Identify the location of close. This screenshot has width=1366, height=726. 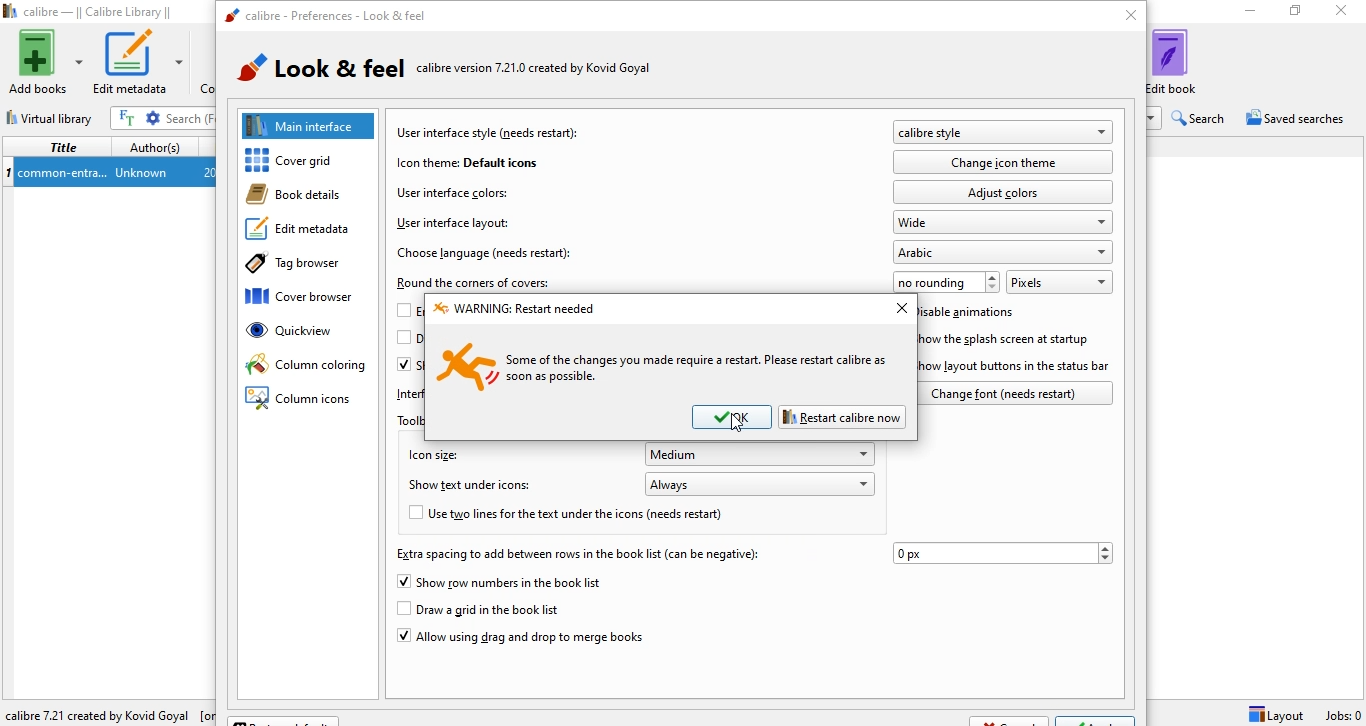
(898, 308).